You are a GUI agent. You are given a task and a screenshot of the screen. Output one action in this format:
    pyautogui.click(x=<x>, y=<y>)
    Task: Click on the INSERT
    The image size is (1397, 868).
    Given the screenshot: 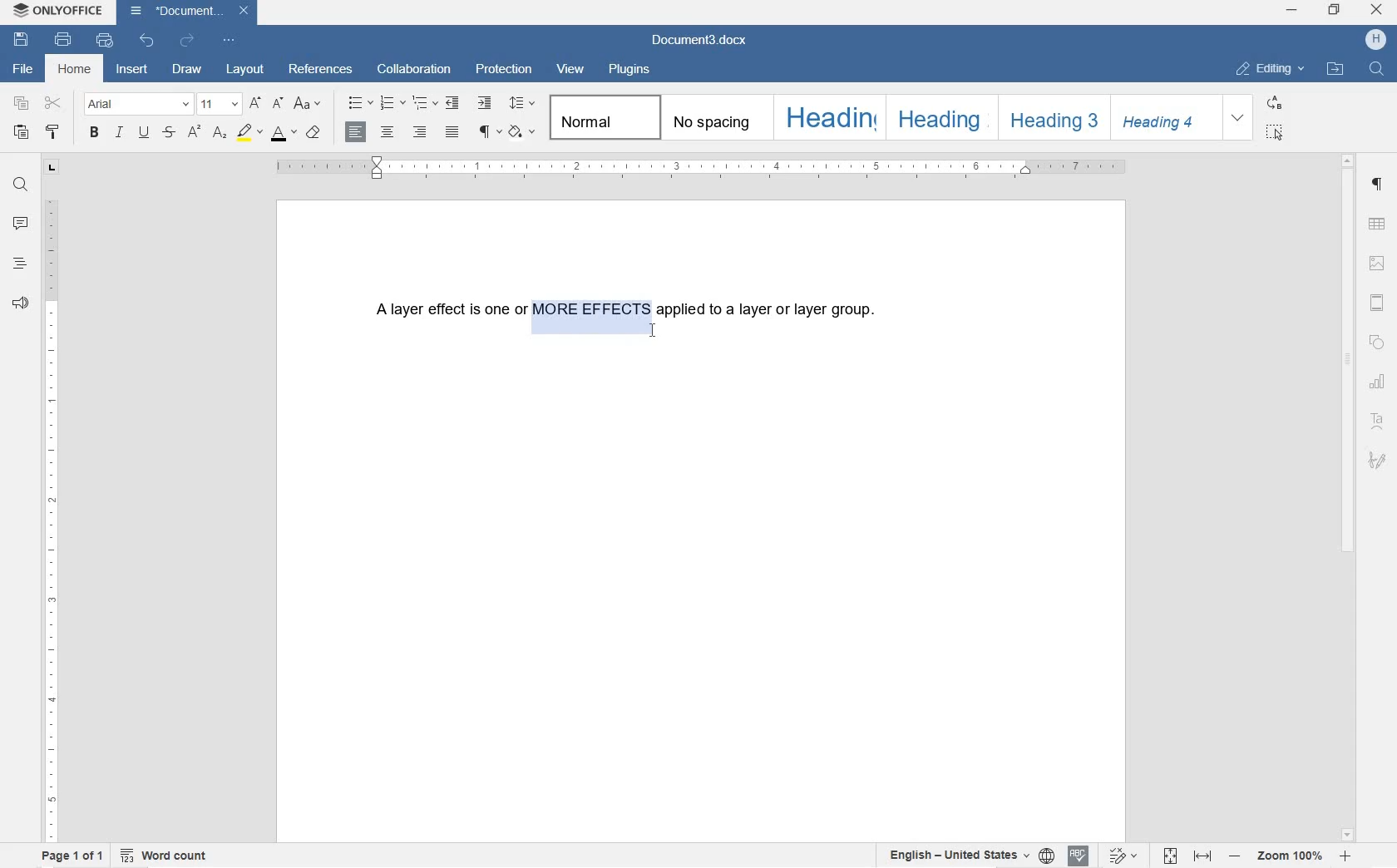 What is the action you would take?
    pyautogui.click(x=133, y=72)
    